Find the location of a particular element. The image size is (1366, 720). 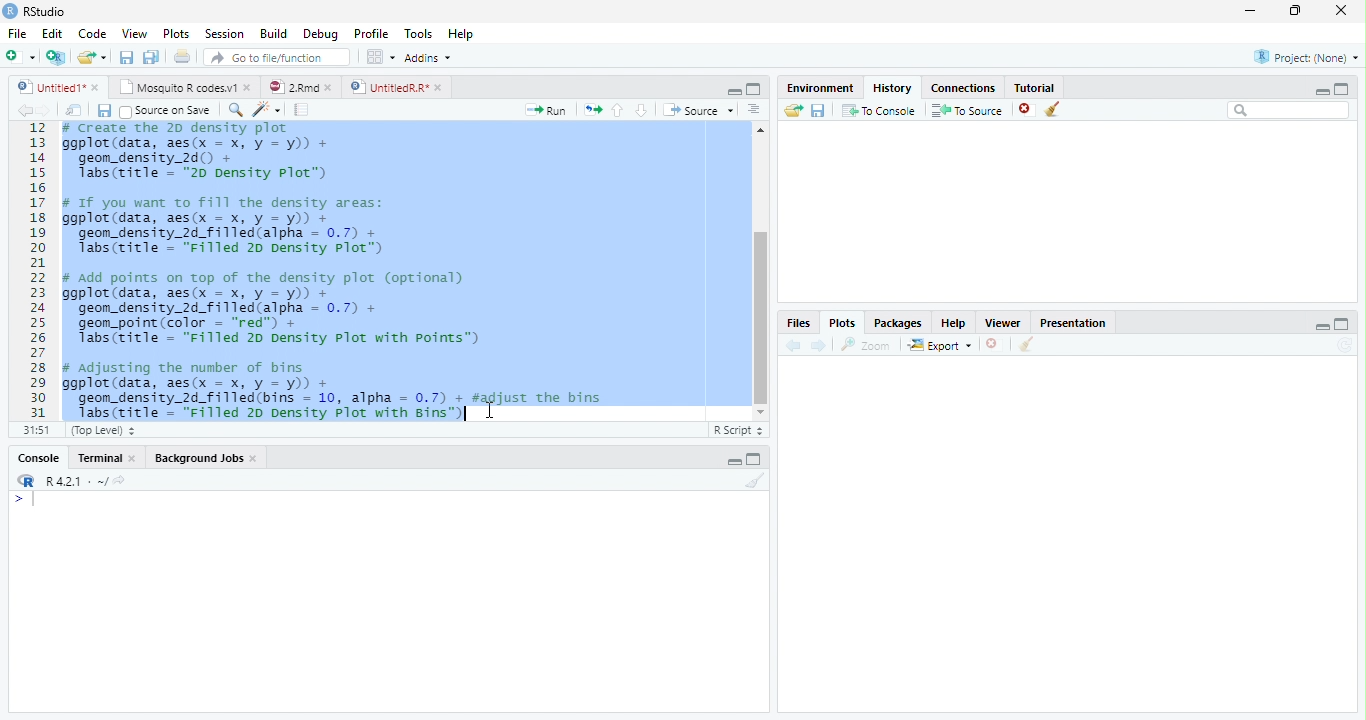

down is located at coordinates (641, 110).